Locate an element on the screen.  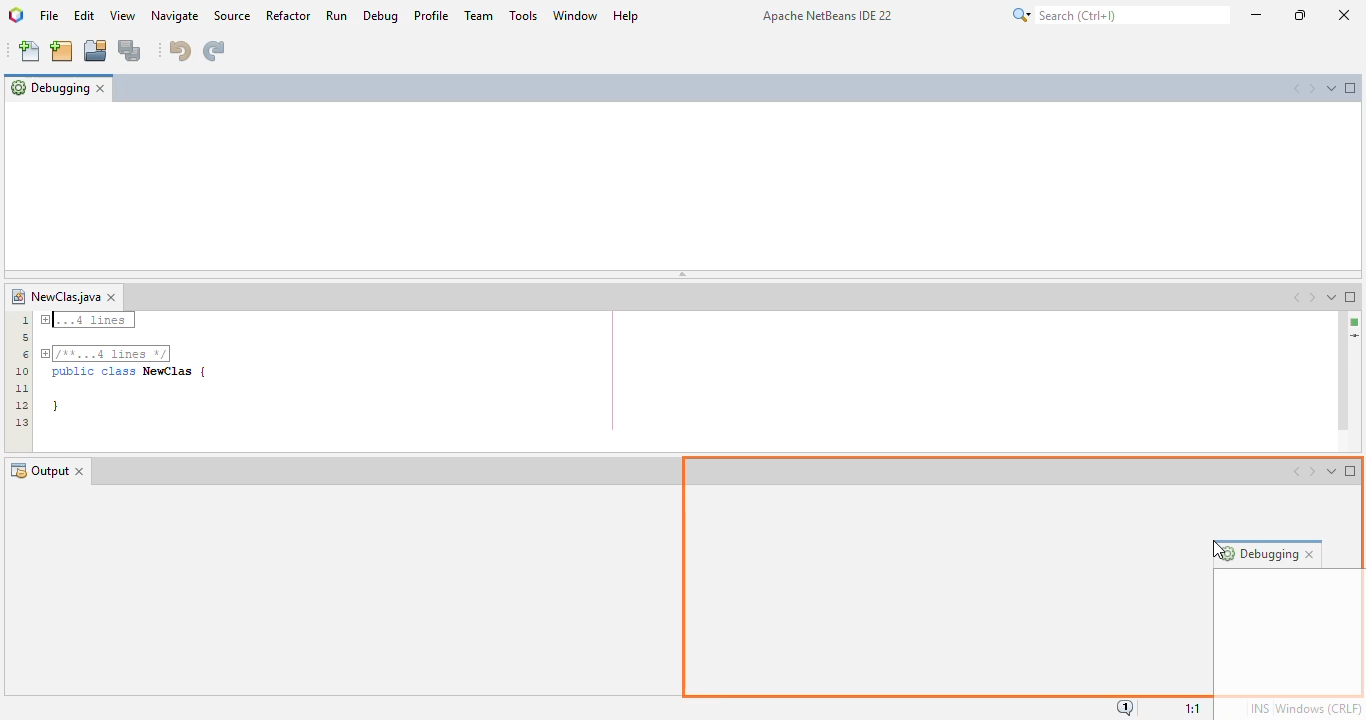
close window is located at coordinates (112, 297).